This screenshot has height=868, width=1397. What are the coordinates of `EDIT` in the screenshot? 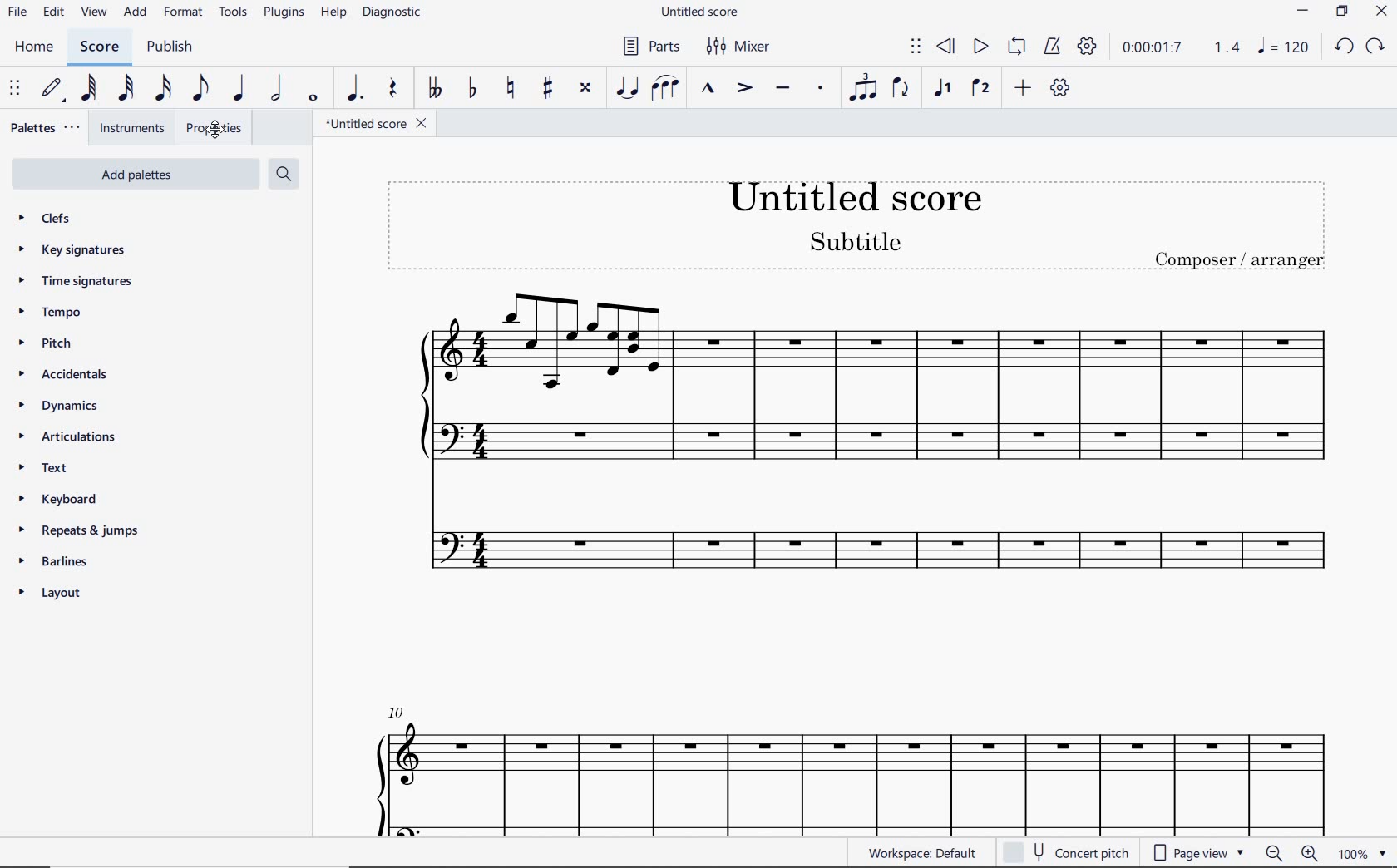 It's located at (54, 13).